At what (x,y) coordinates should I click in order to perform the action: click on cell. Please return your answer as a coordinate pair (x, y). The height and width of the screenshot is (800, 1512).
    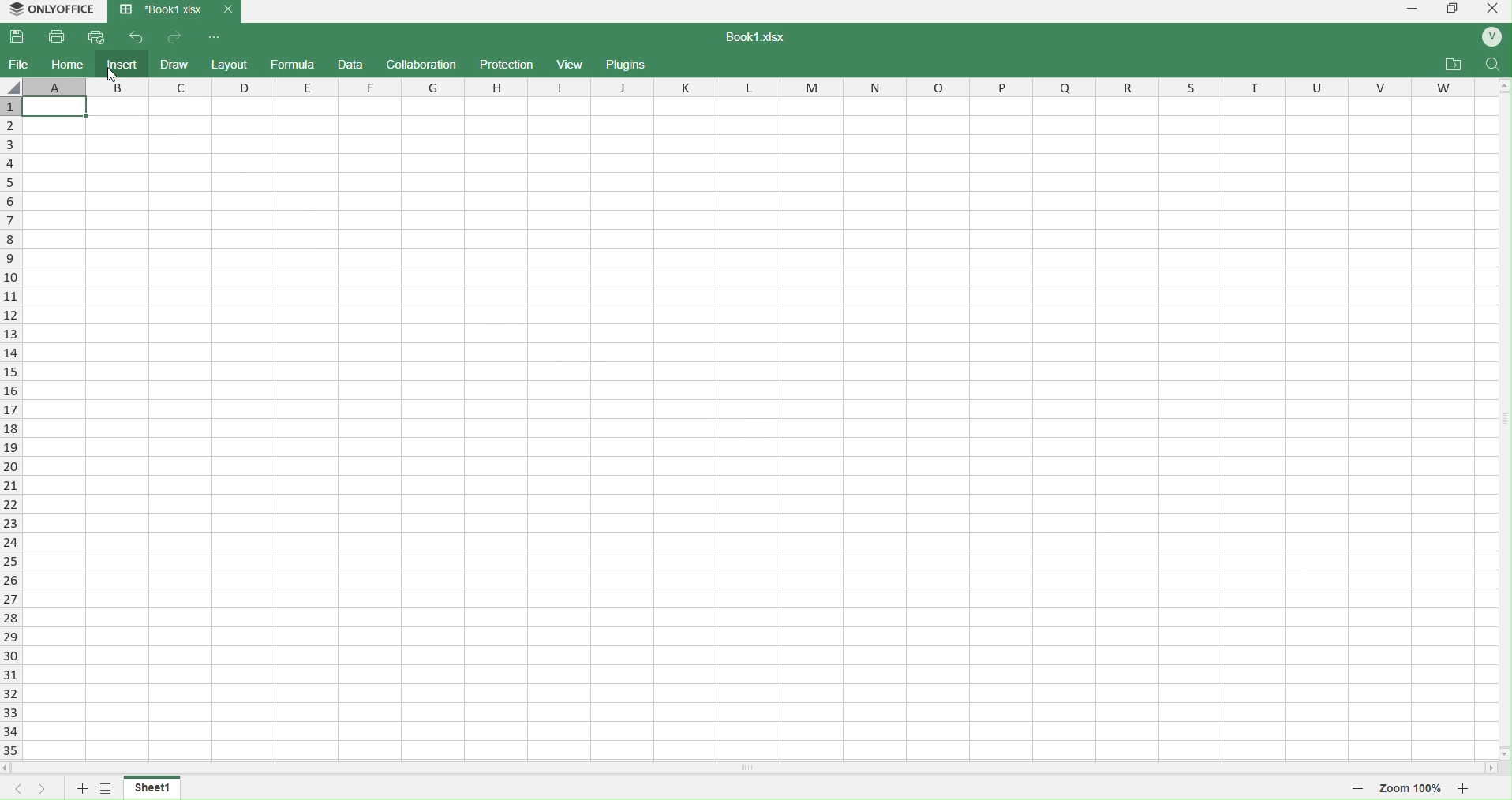
    Looking at the image, I should click on (754, 427).